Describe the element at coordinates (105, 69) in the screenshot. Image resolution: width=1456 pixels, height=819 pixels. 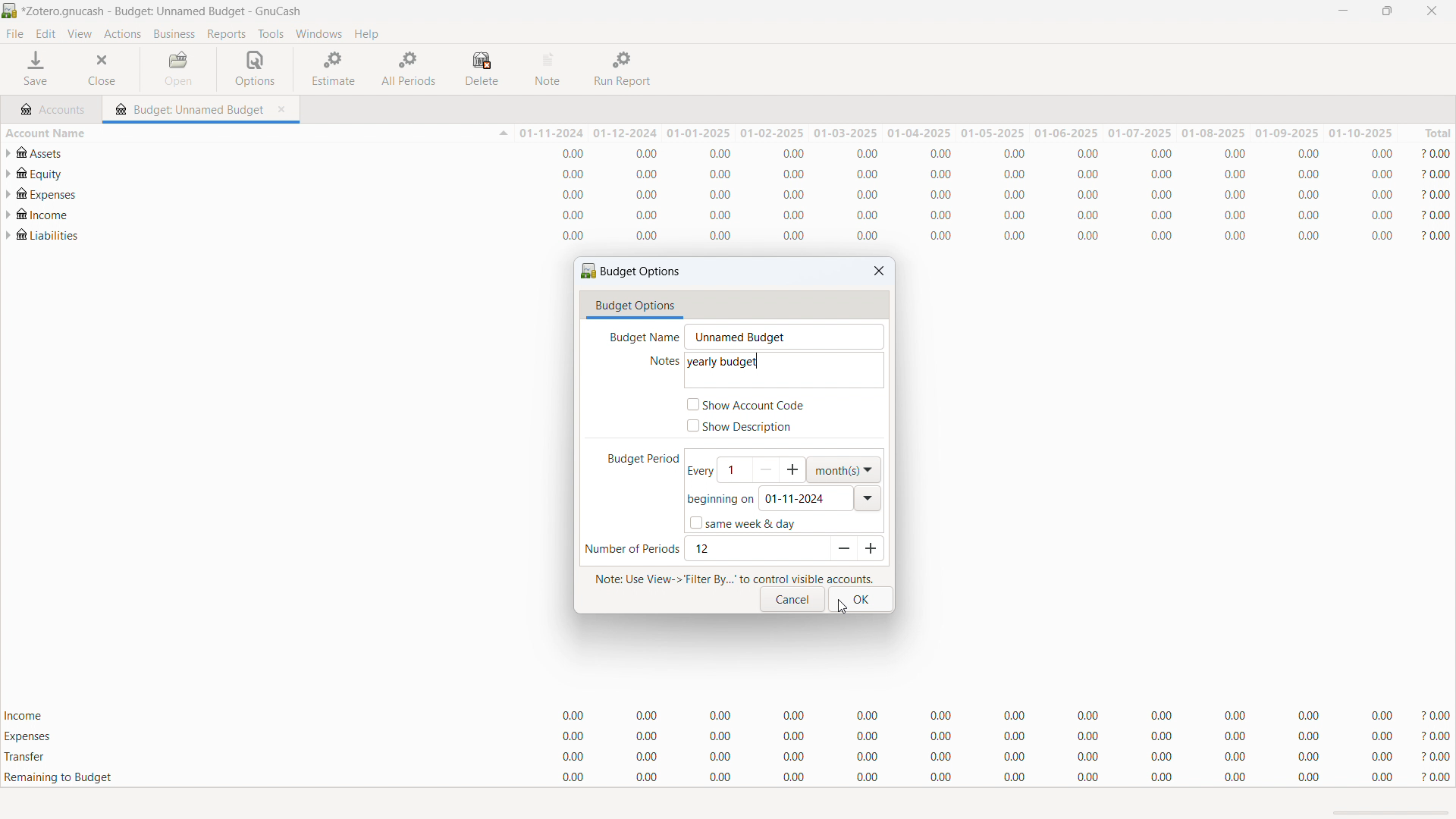
I see `close` at that location.